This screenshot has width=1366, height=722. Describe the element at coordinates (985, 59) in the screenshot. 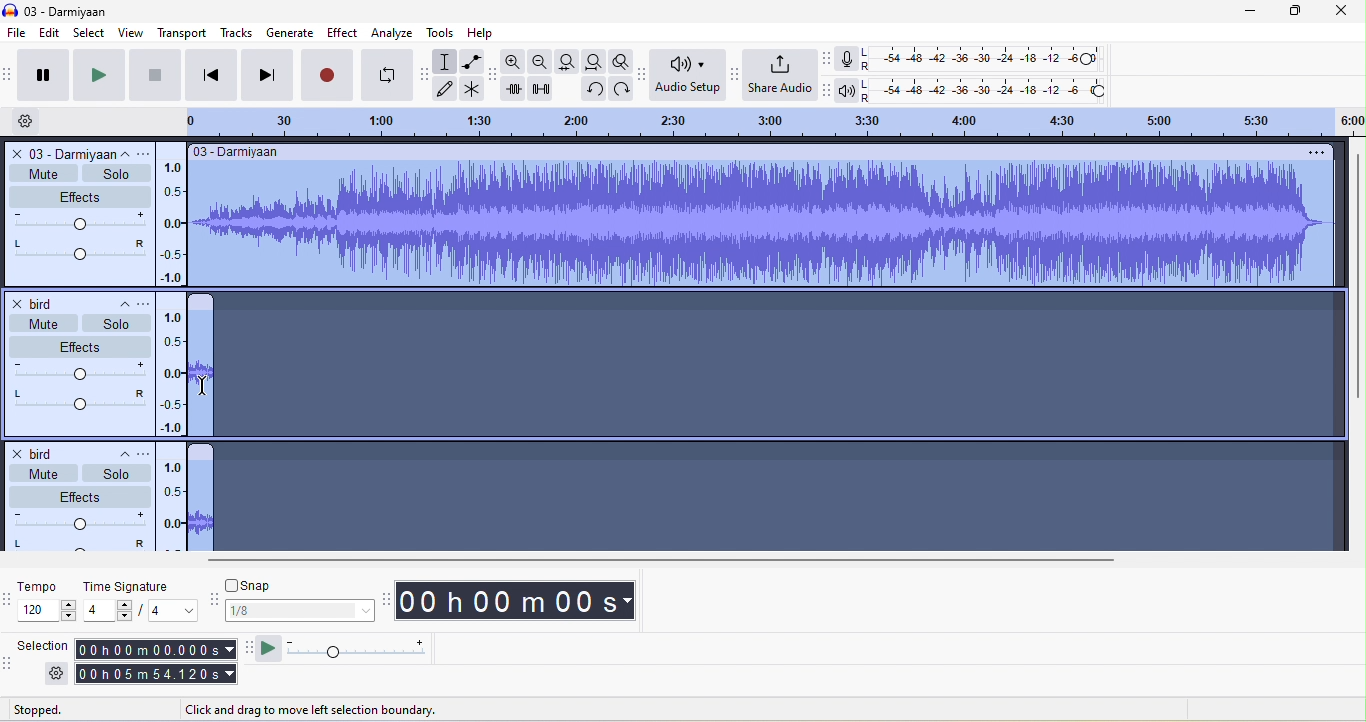

I see `recording level` at that location.